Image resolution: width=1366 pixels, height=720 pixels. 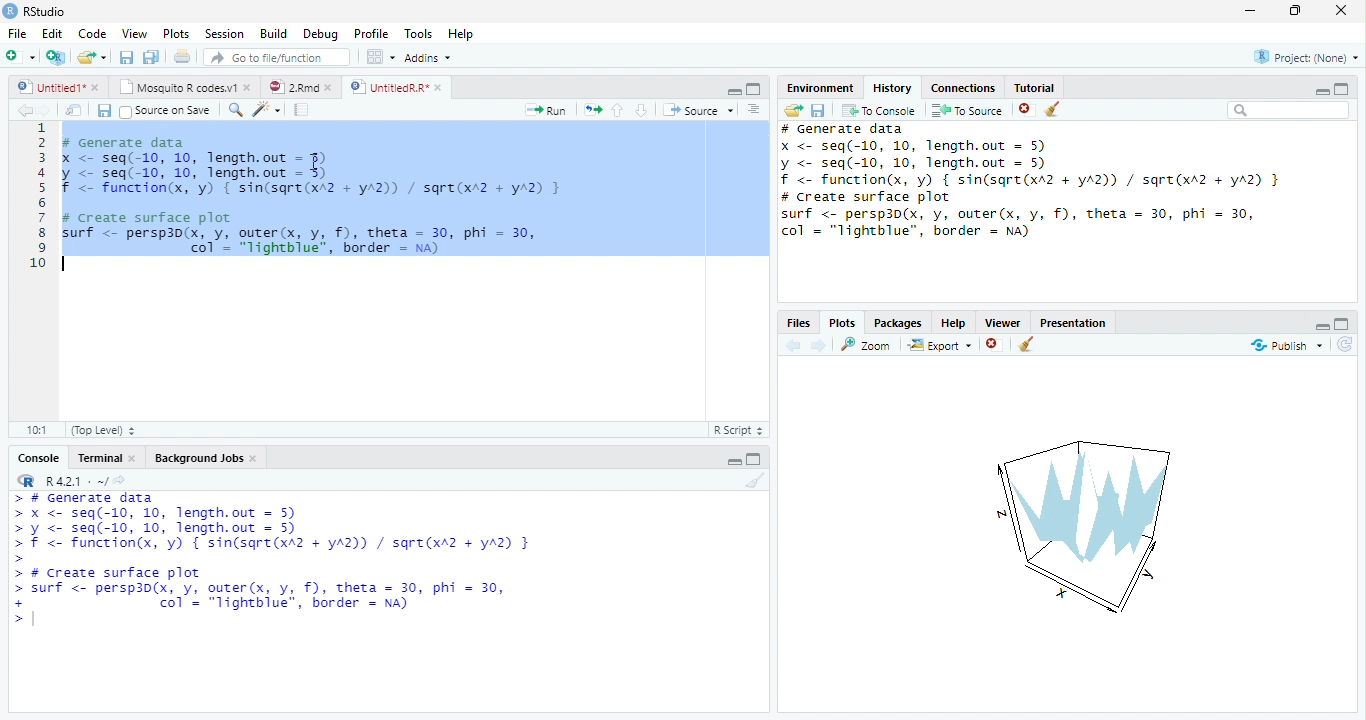 I want to click on Remove the selected history entries, so click(x=1026, y=110).